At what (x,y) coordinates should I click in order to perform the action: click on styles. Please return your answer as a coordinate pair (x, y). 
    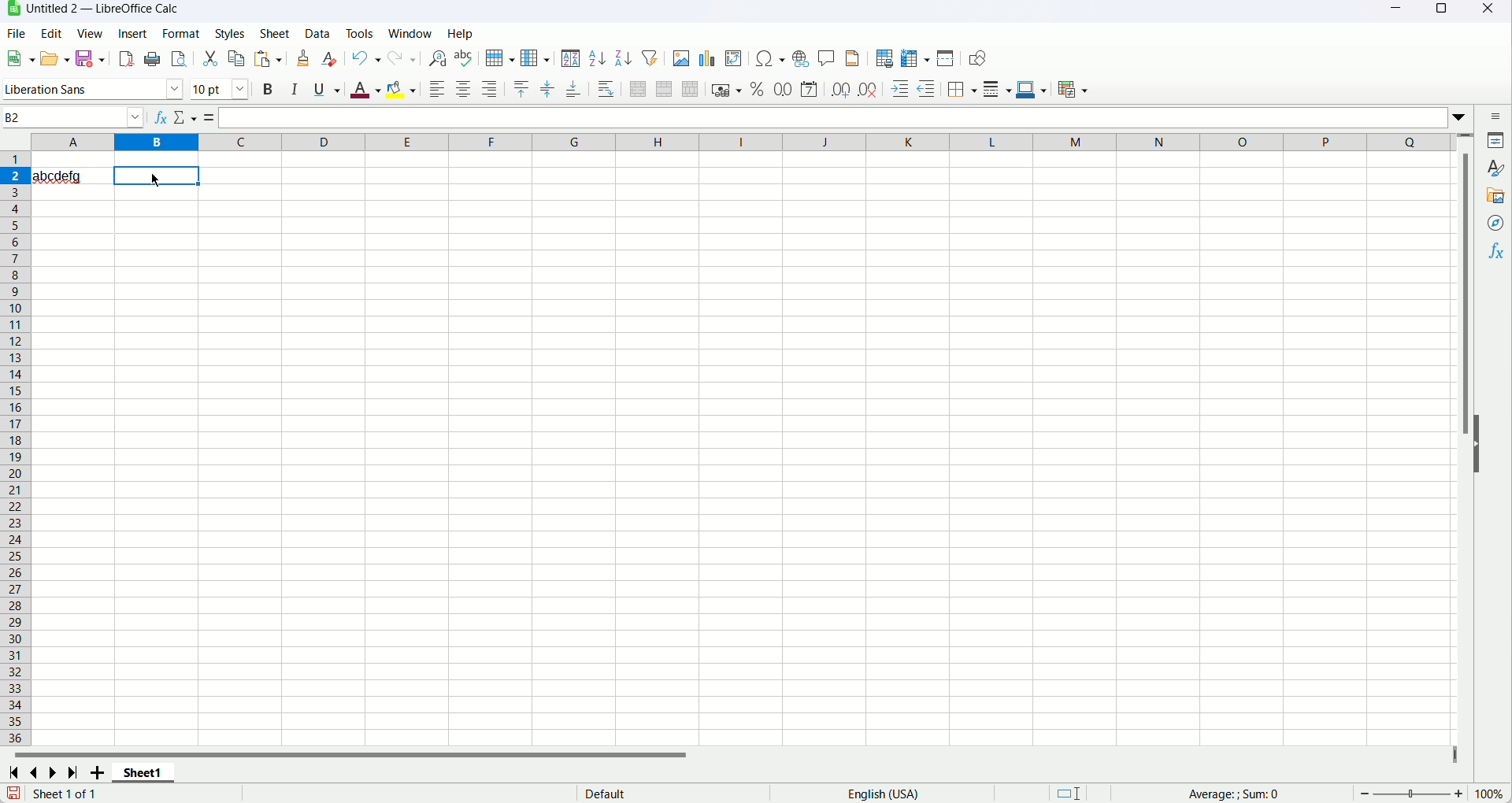
    Looking at the image, I should click on (231, 34).